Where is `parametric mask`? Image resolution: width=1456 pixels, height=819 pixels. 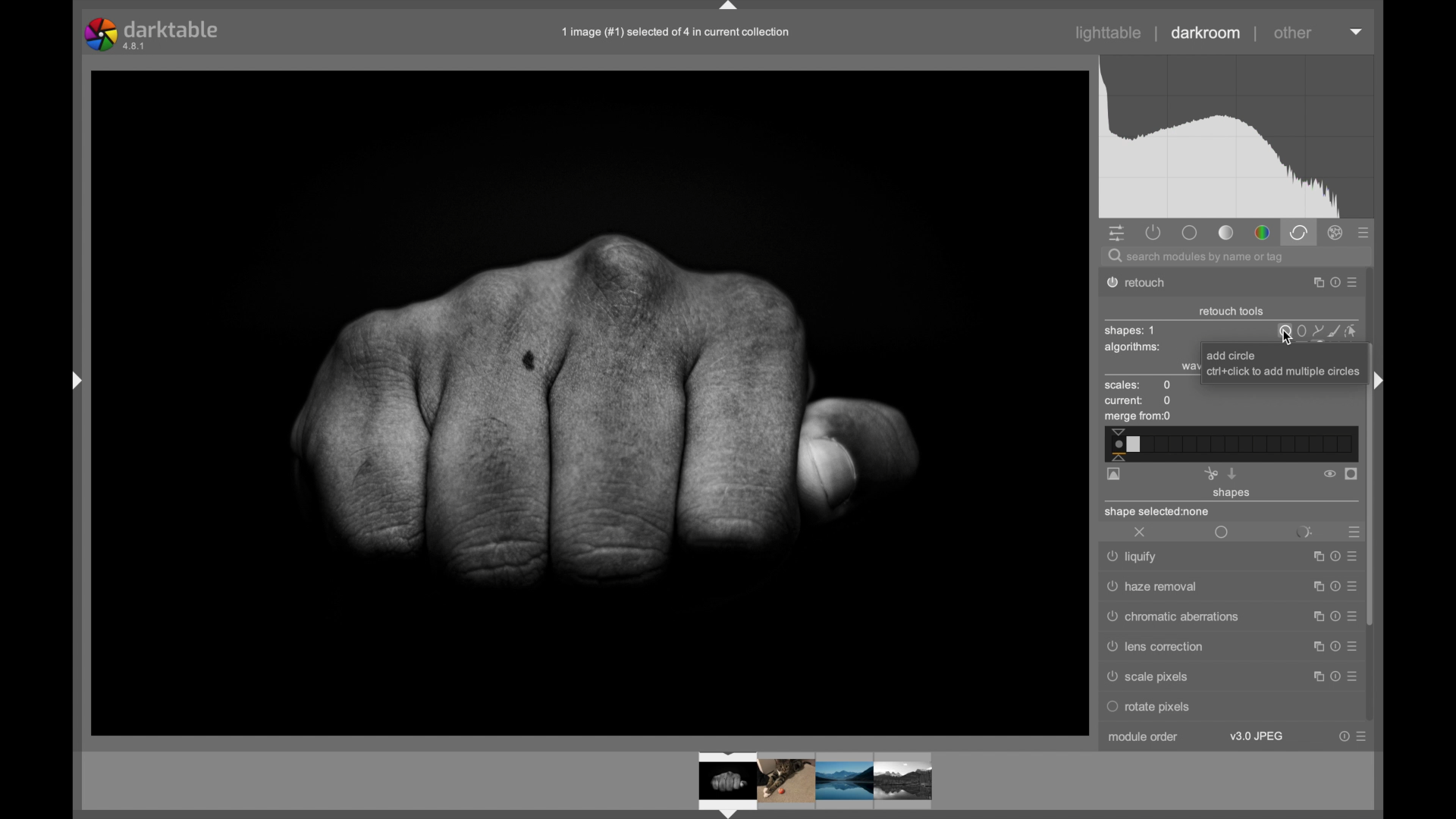 parametric mask is located at coordinates (1303, 532).